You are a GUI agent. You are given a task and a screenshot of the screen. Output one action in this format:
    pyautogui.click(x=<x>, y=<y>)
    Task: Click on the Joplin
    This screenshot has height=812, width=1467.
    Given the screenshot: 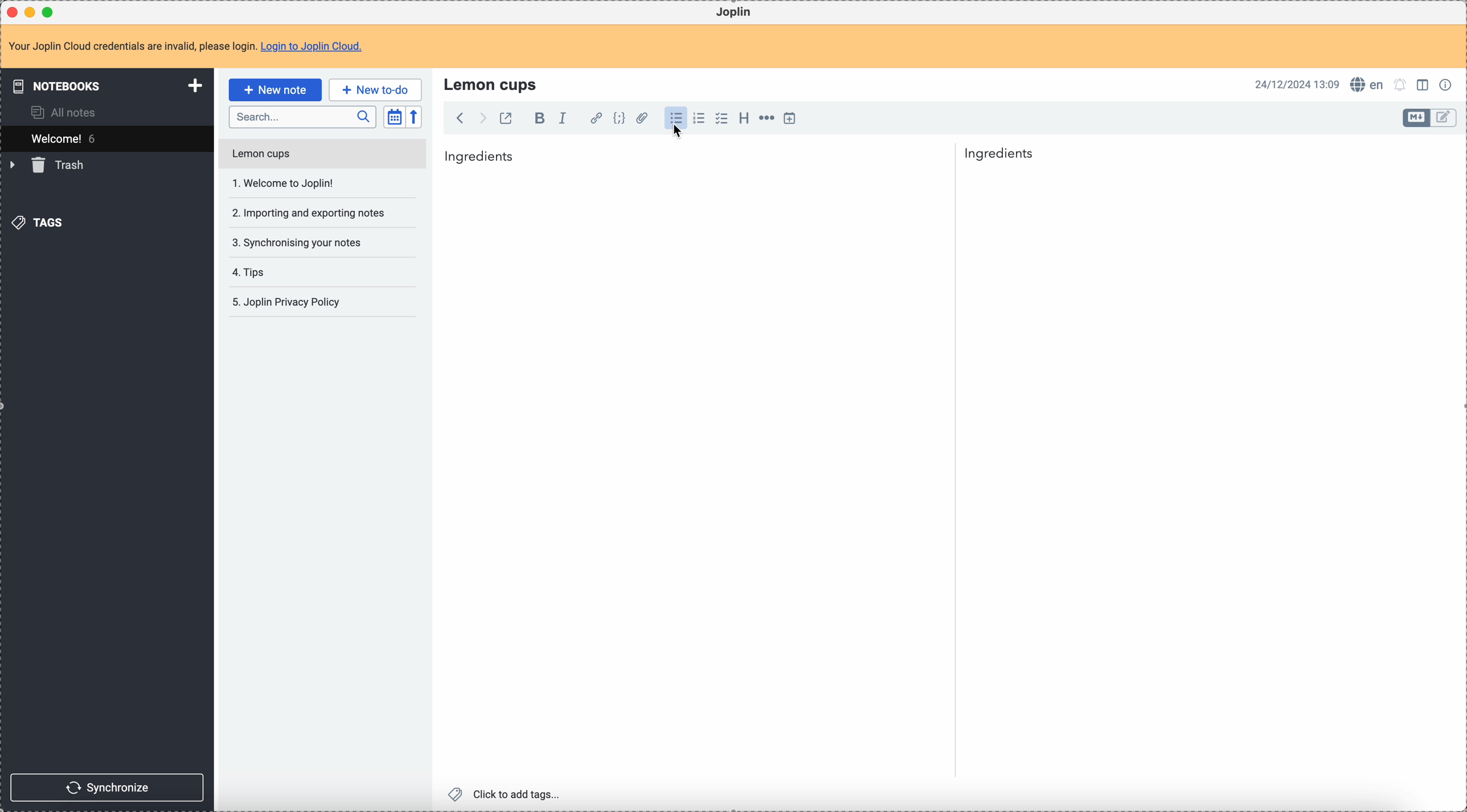 What is the action you would take?
    pyautogui.click(x=733, y=13)
    